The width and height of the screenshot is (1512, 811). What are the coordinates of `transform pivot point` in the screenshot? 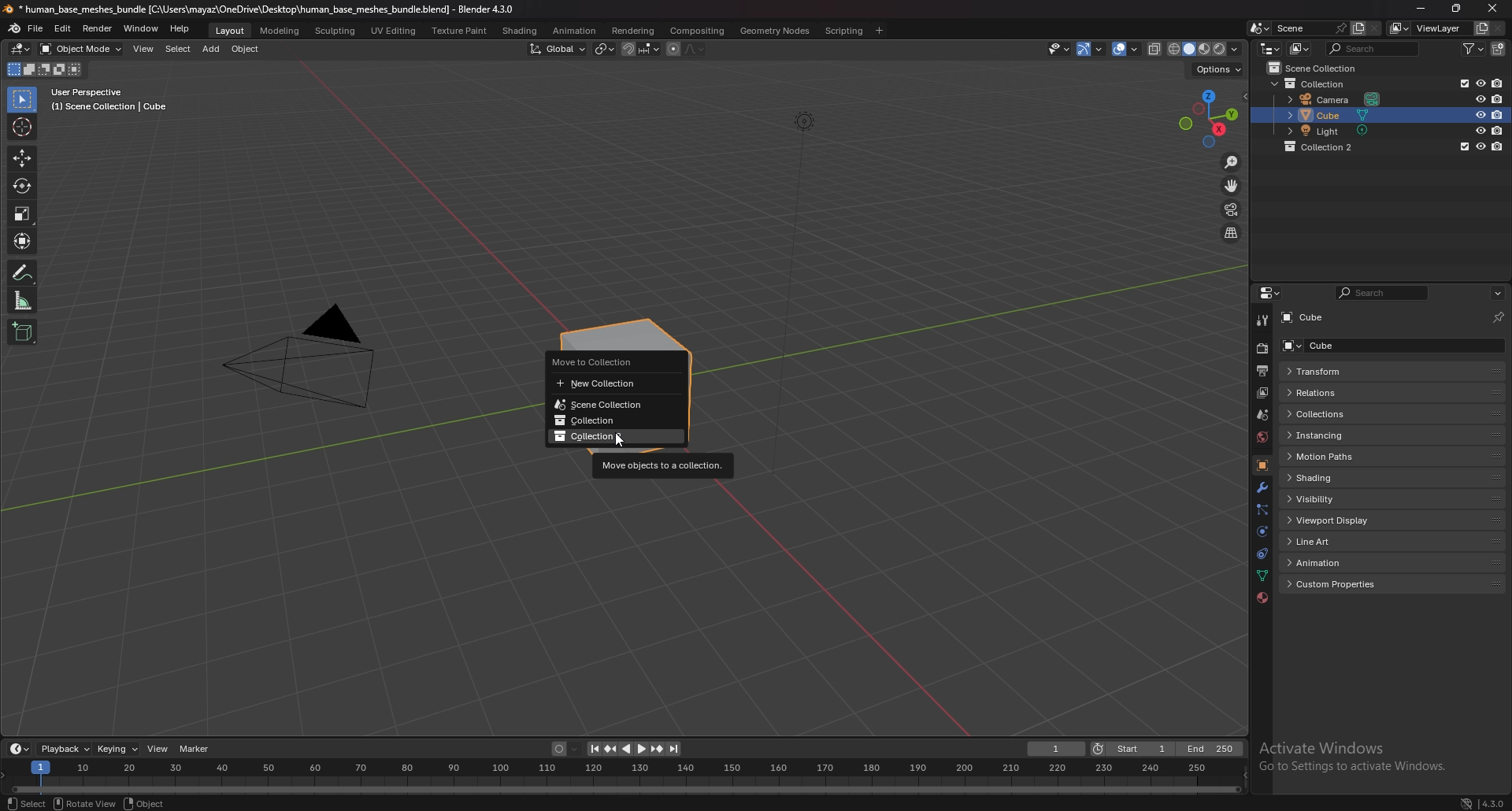 It's located at (605, 49).